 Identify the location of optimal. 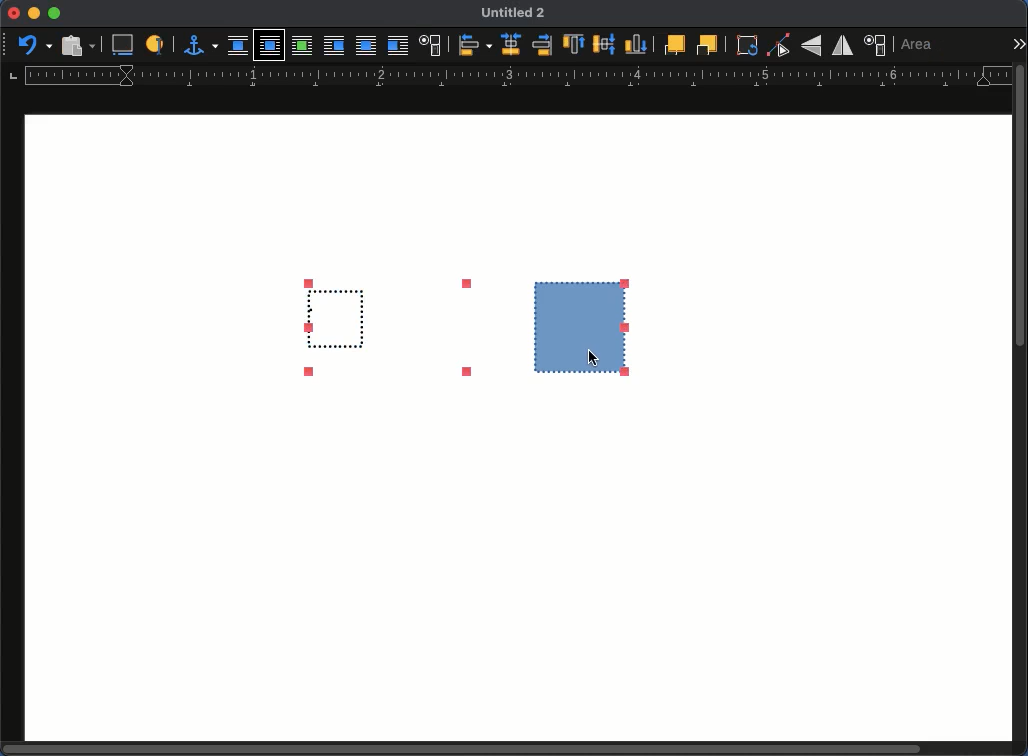
(302, 47).